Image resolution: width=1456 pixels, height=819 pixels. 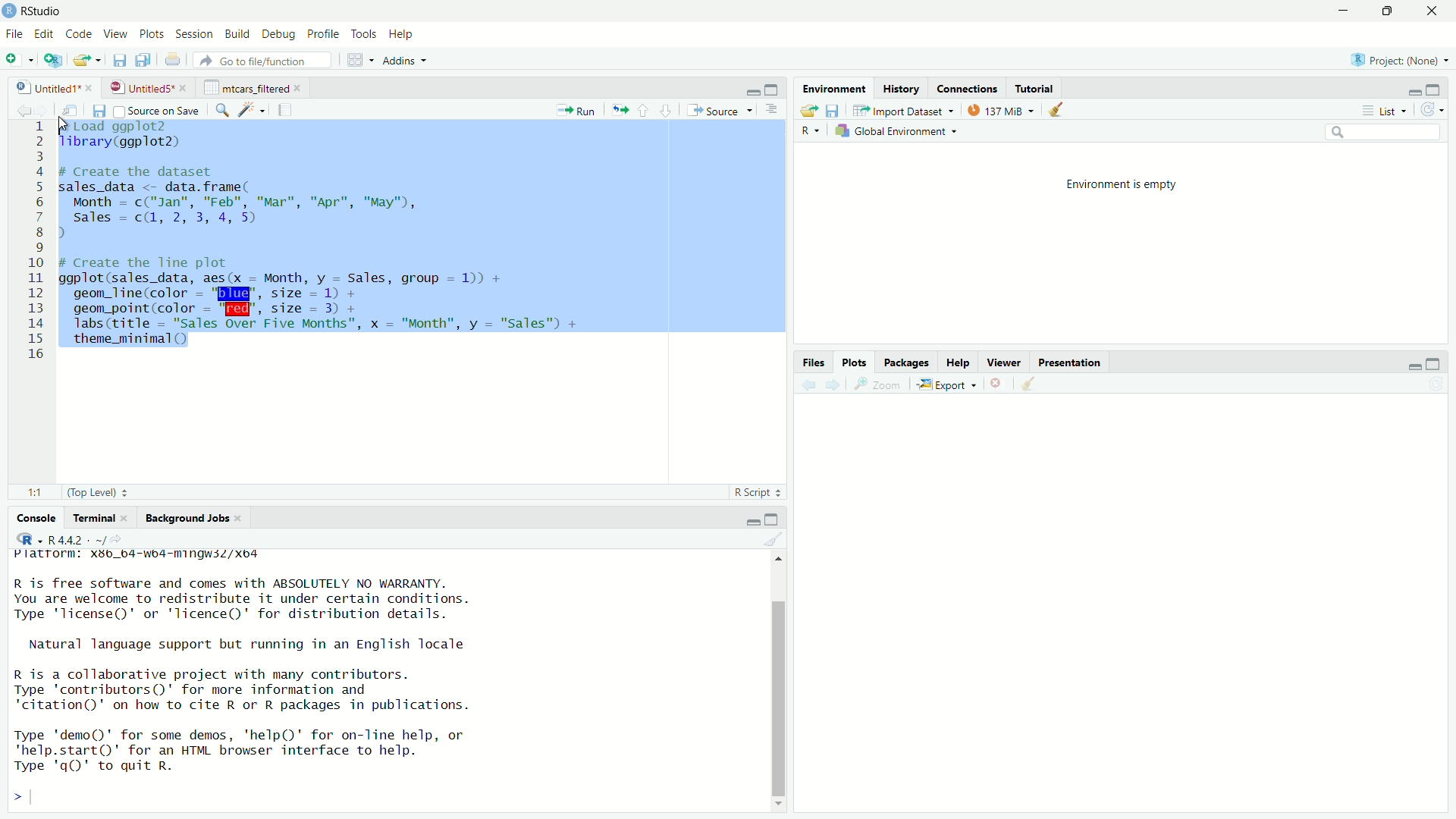 I want to click on R Script, so click(x=753, y=492).